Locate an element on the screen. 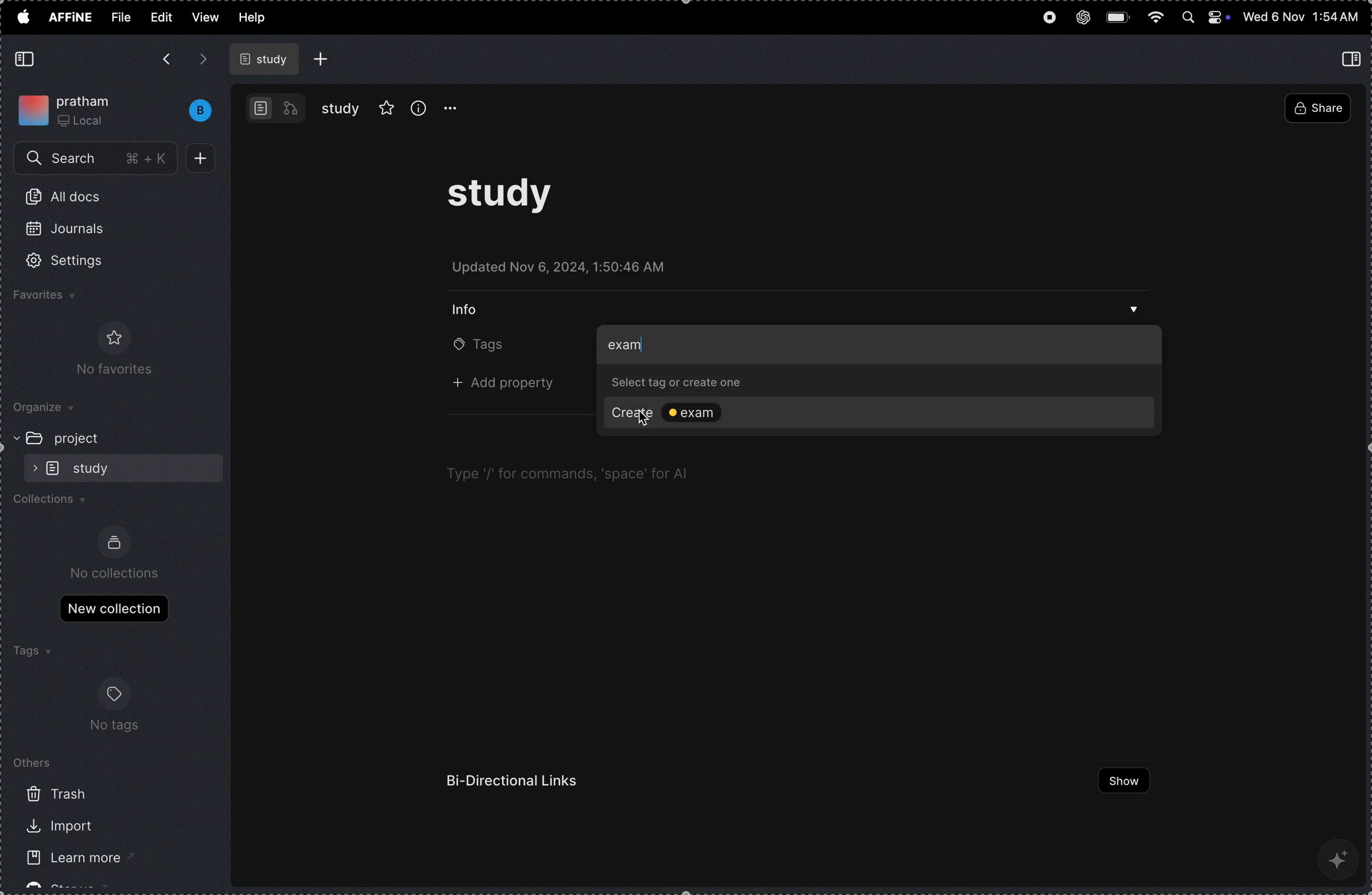 The width and height of the screenshot is (1372, 895). No favorites is located at coordinates (108, 371).